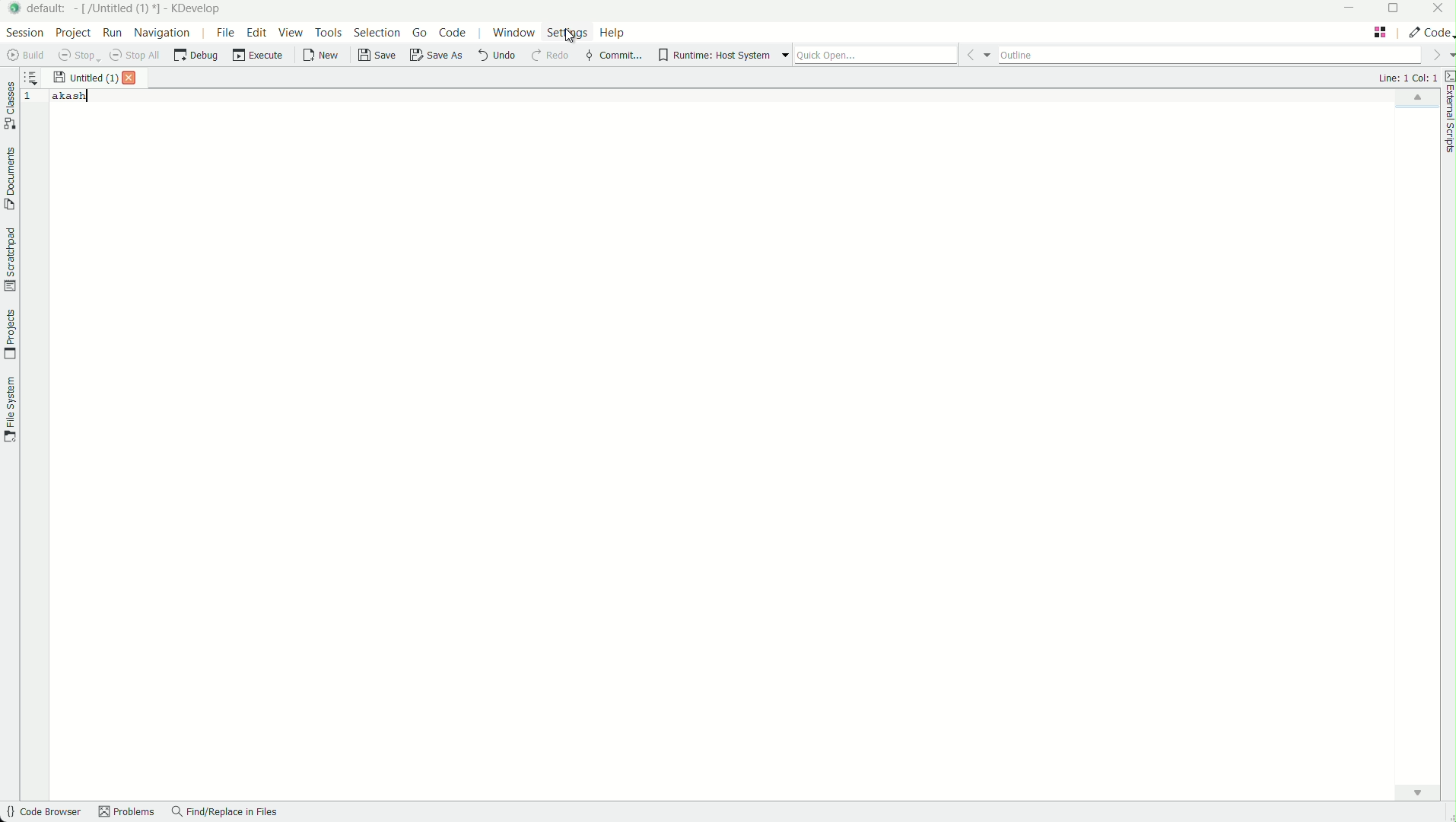  What do you see at coordinates (1407, 78) in the screenshot?
I see `cursor positions` at bounding box center [1407, 78].